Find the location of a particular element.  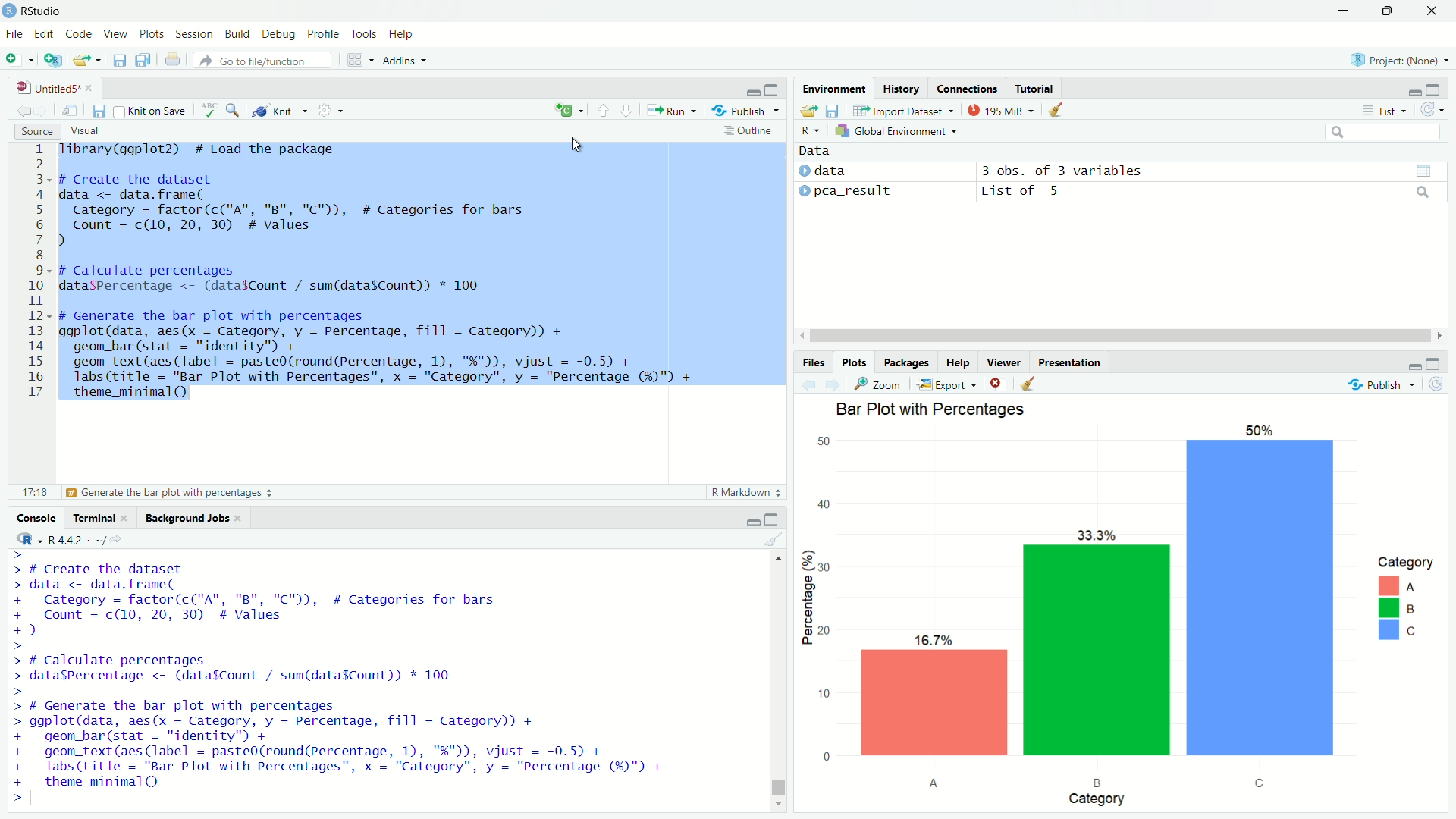

Files is located at coordinates (813, 362).